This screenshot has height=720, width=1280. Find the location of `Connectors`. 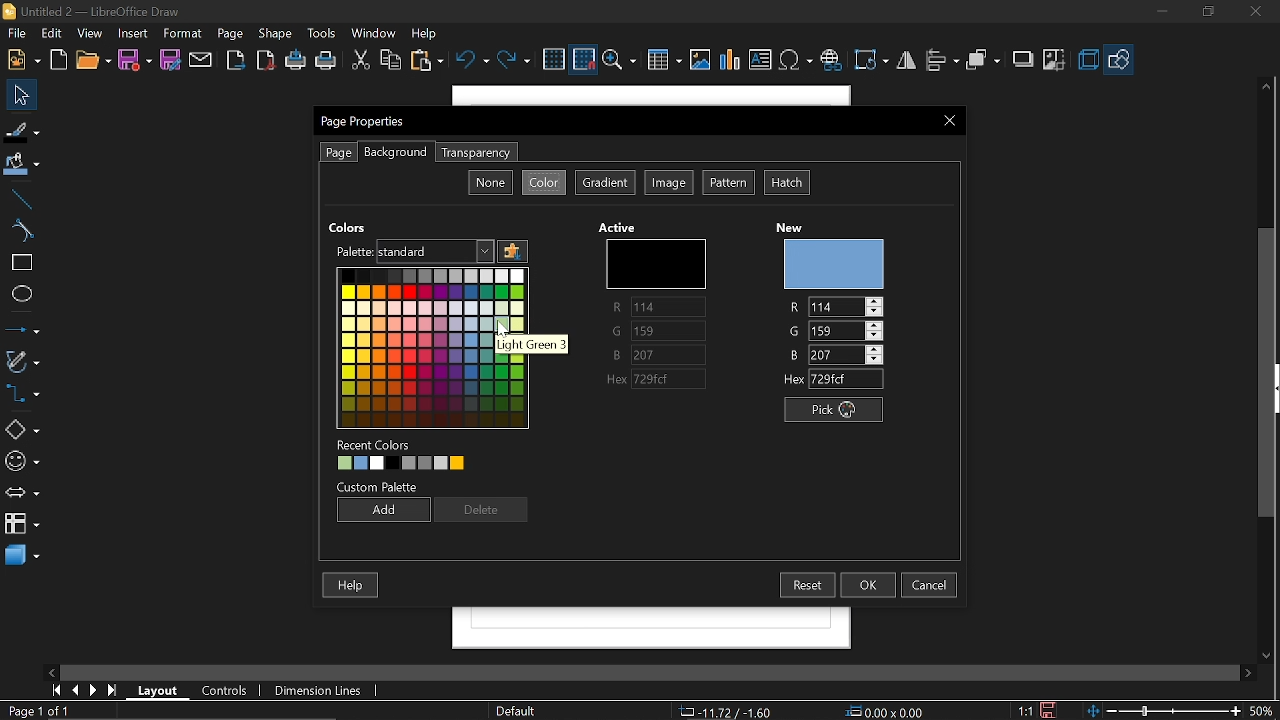

Connectors is located at coordinates (22, 393).